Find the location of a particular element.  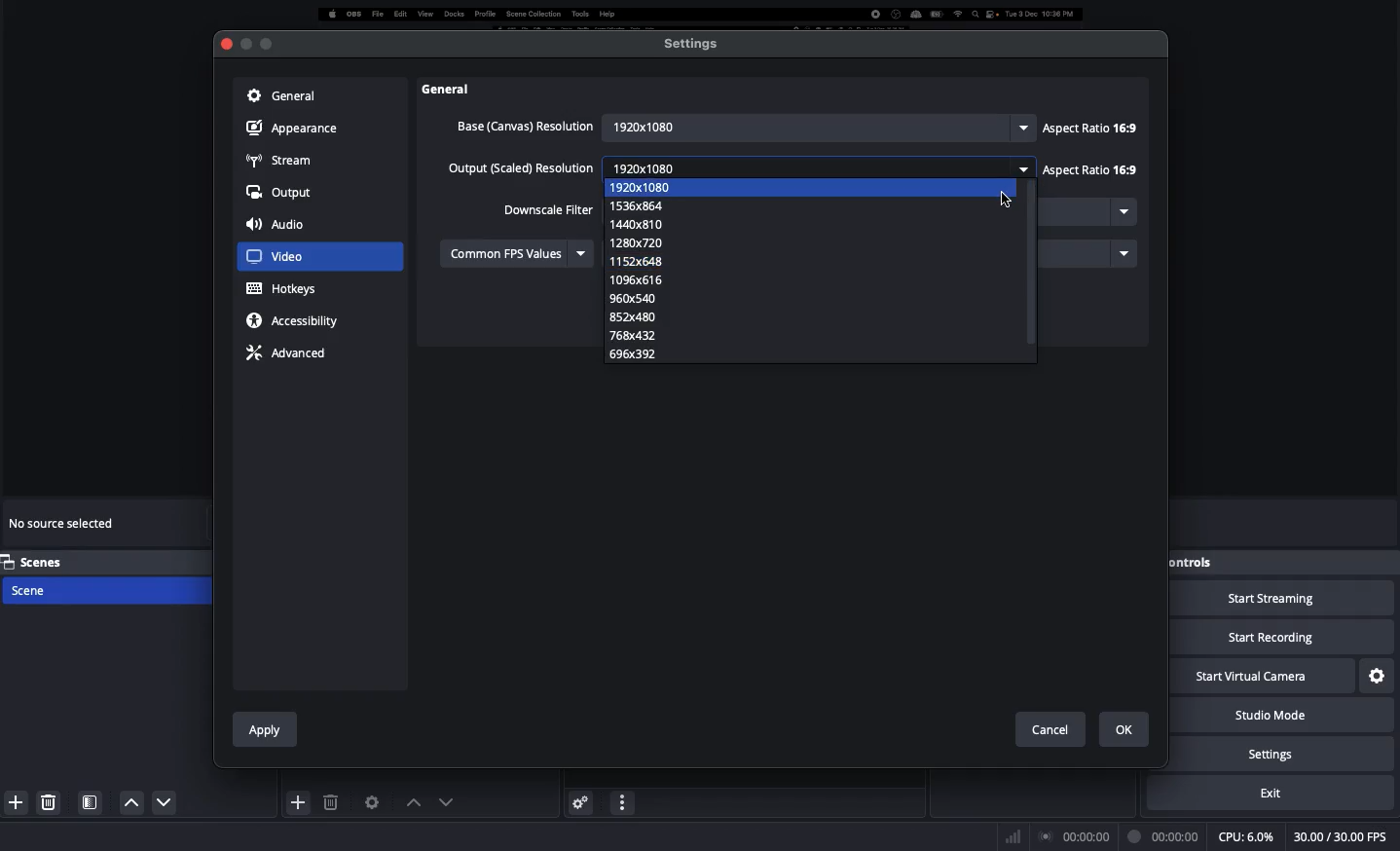

No source selected is located at coordinates (64, 527).